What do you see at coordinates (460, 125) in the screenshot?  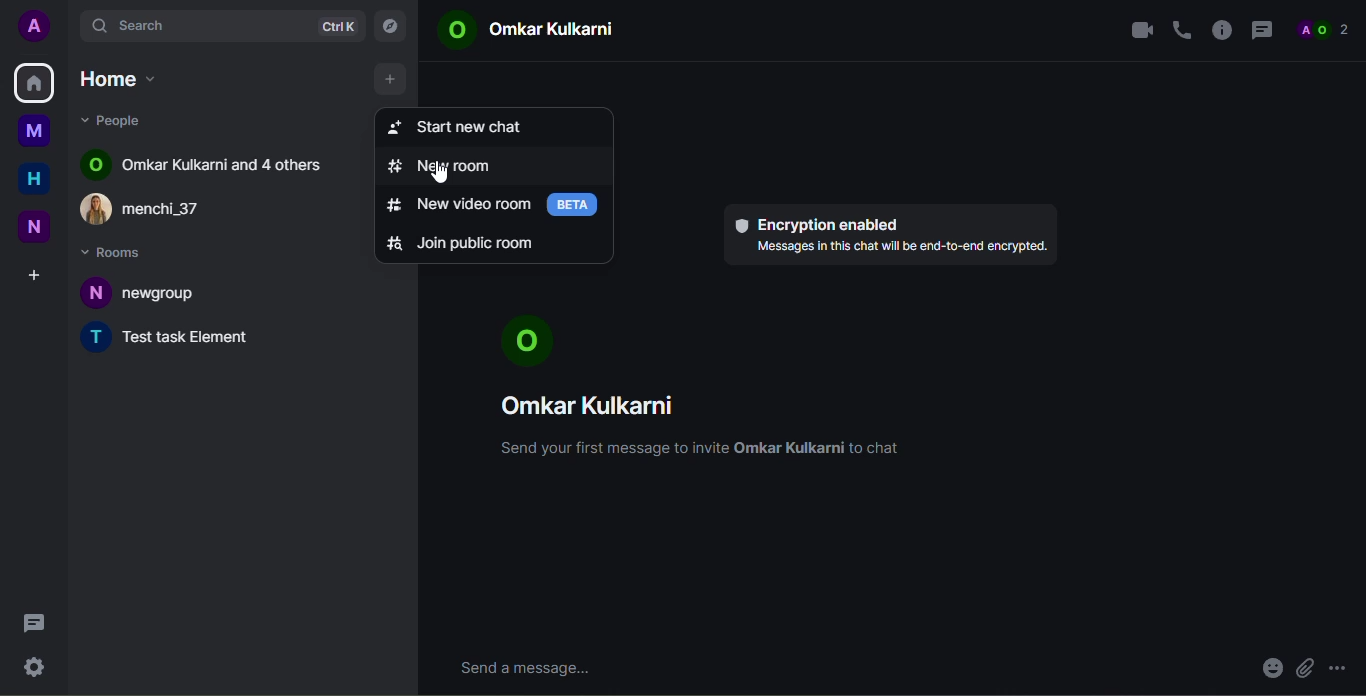 I see `start new chat` at bounding box center [460, 125].